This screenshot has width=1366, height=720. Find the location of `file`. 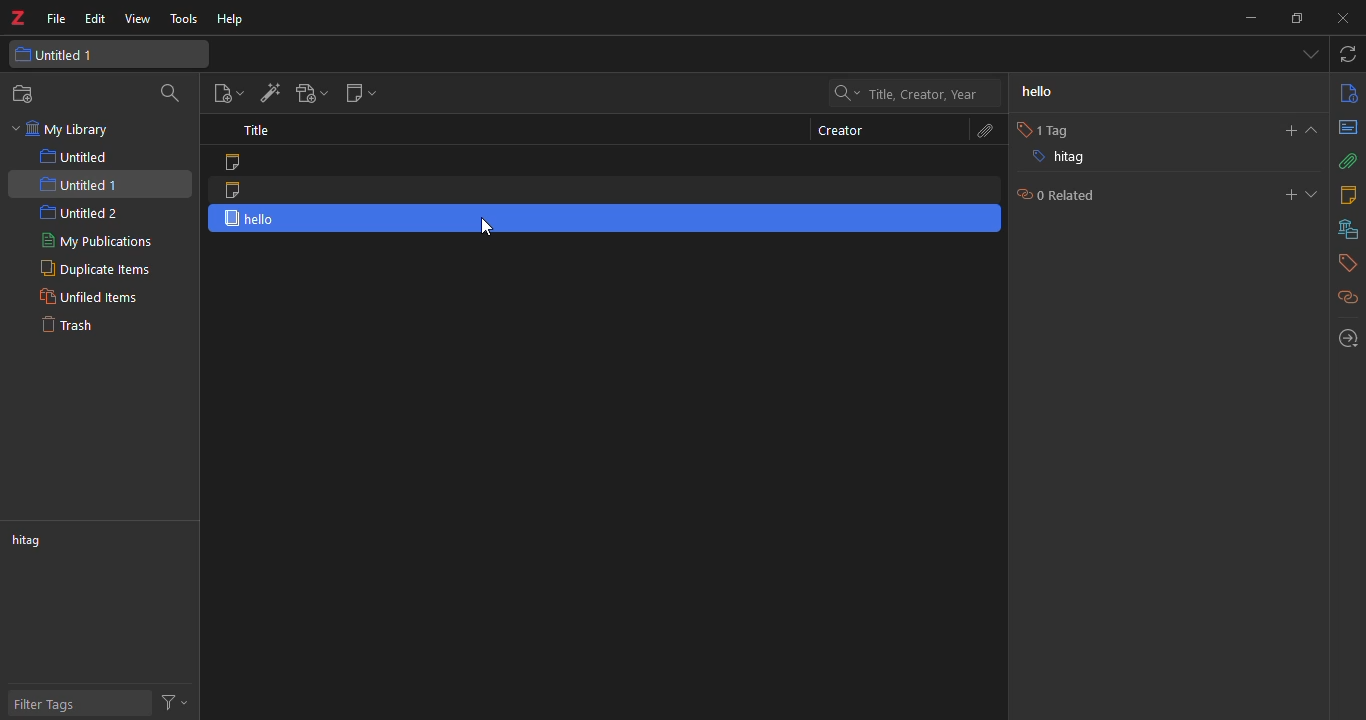

file is located at coordinates (54, 21).